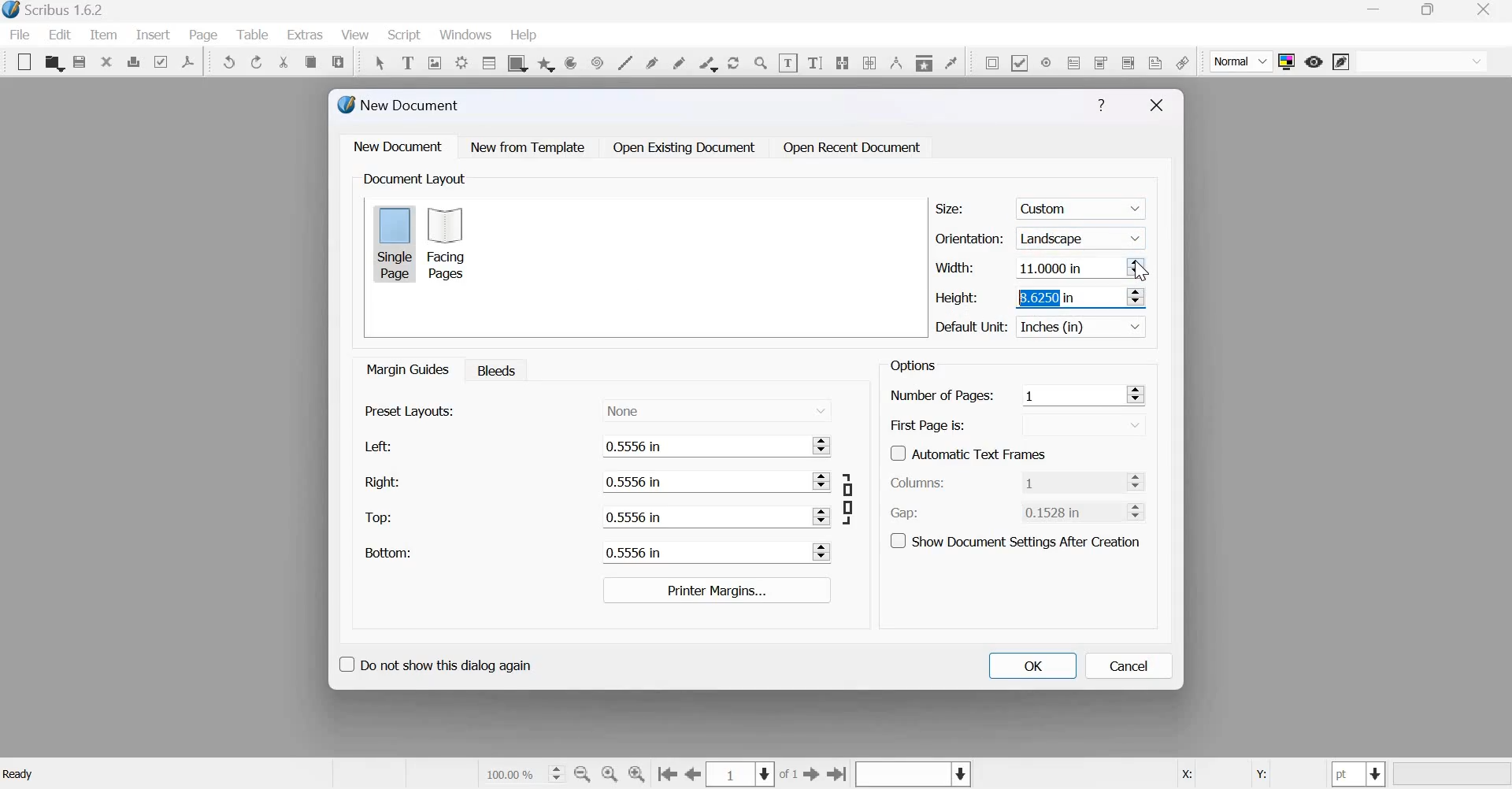  I want to click on 0.5556 in, so click(702, 516).